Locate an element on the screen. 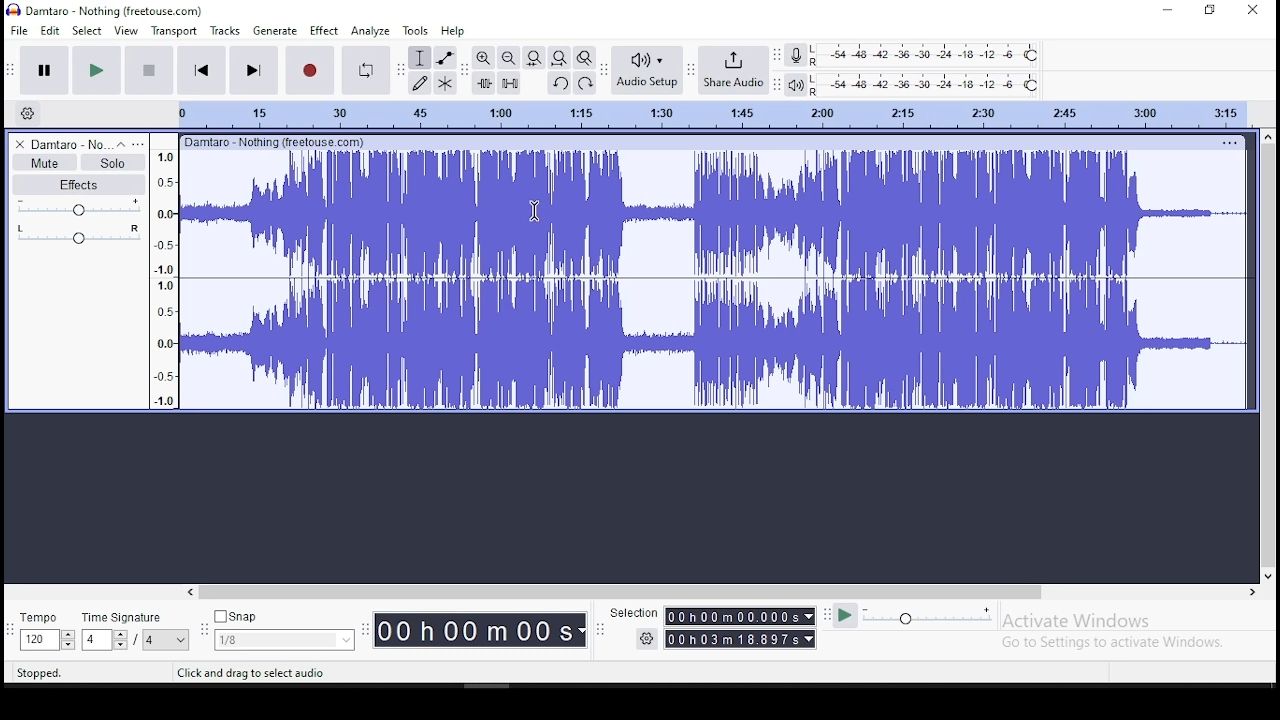 The width and height of the screenshot is (1280, 720). skip to start is located at coordinates (202, 70).